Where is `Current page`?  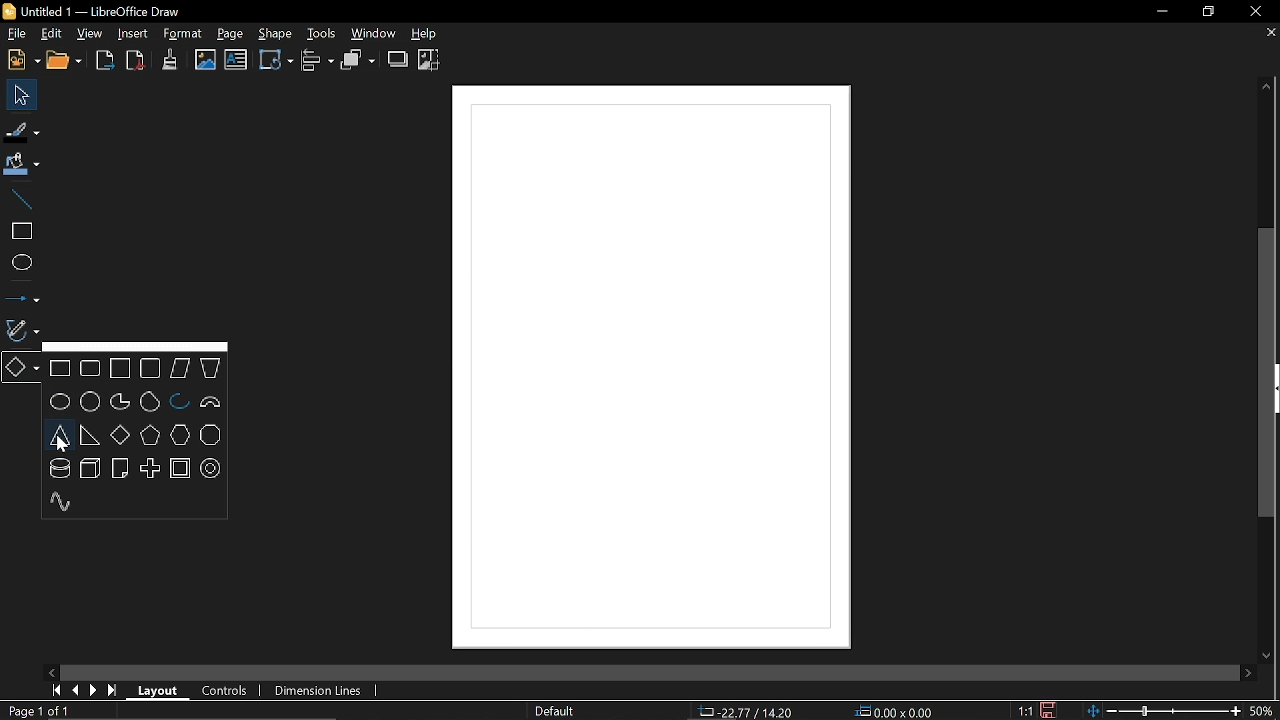 Current page is located at coordinates (41, 711).